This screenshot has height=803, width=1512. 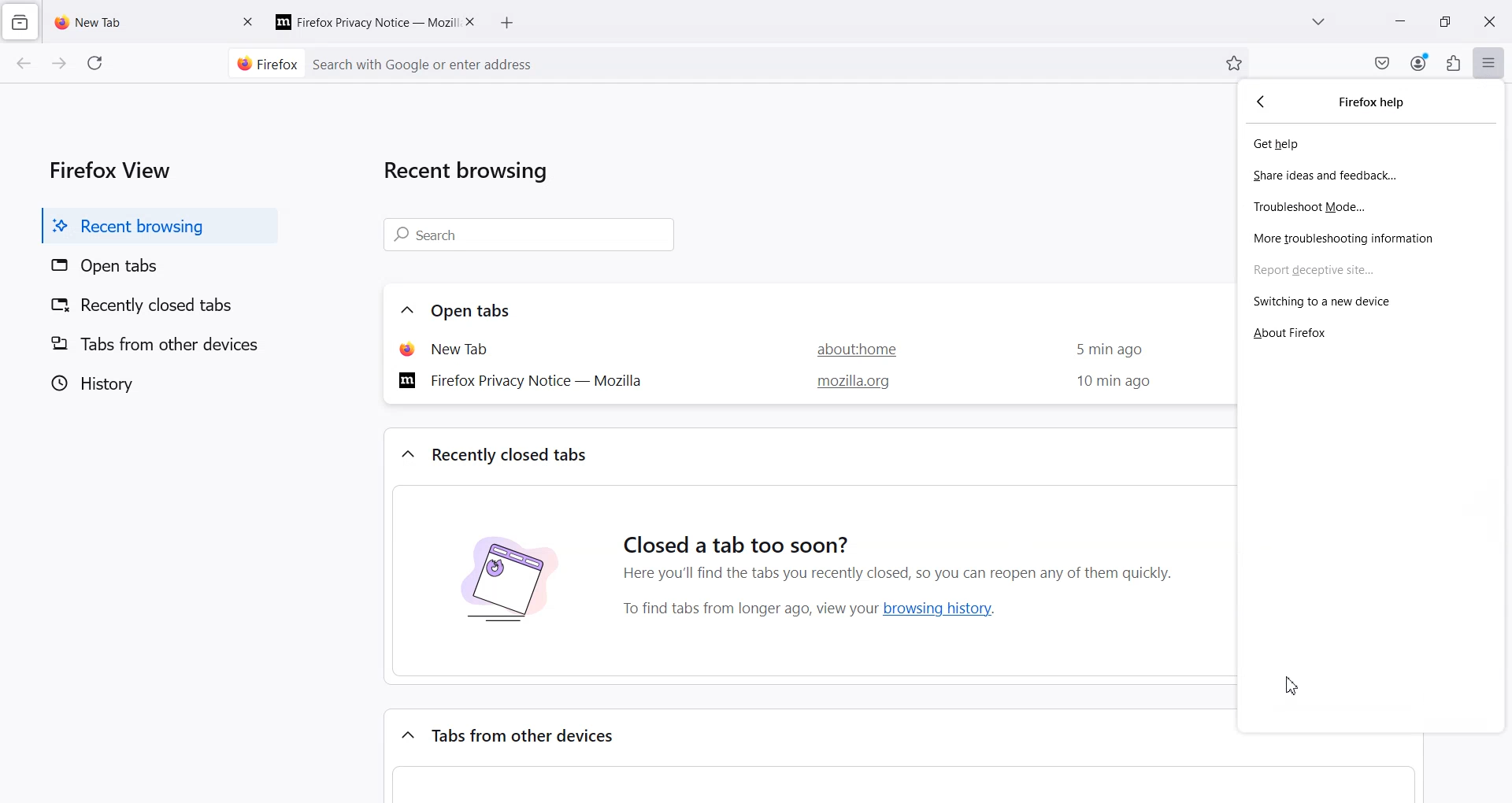 What do you see at coordinates (97, 63) in the screenshot?
I see `Reload` at bounding box center [97, 63].